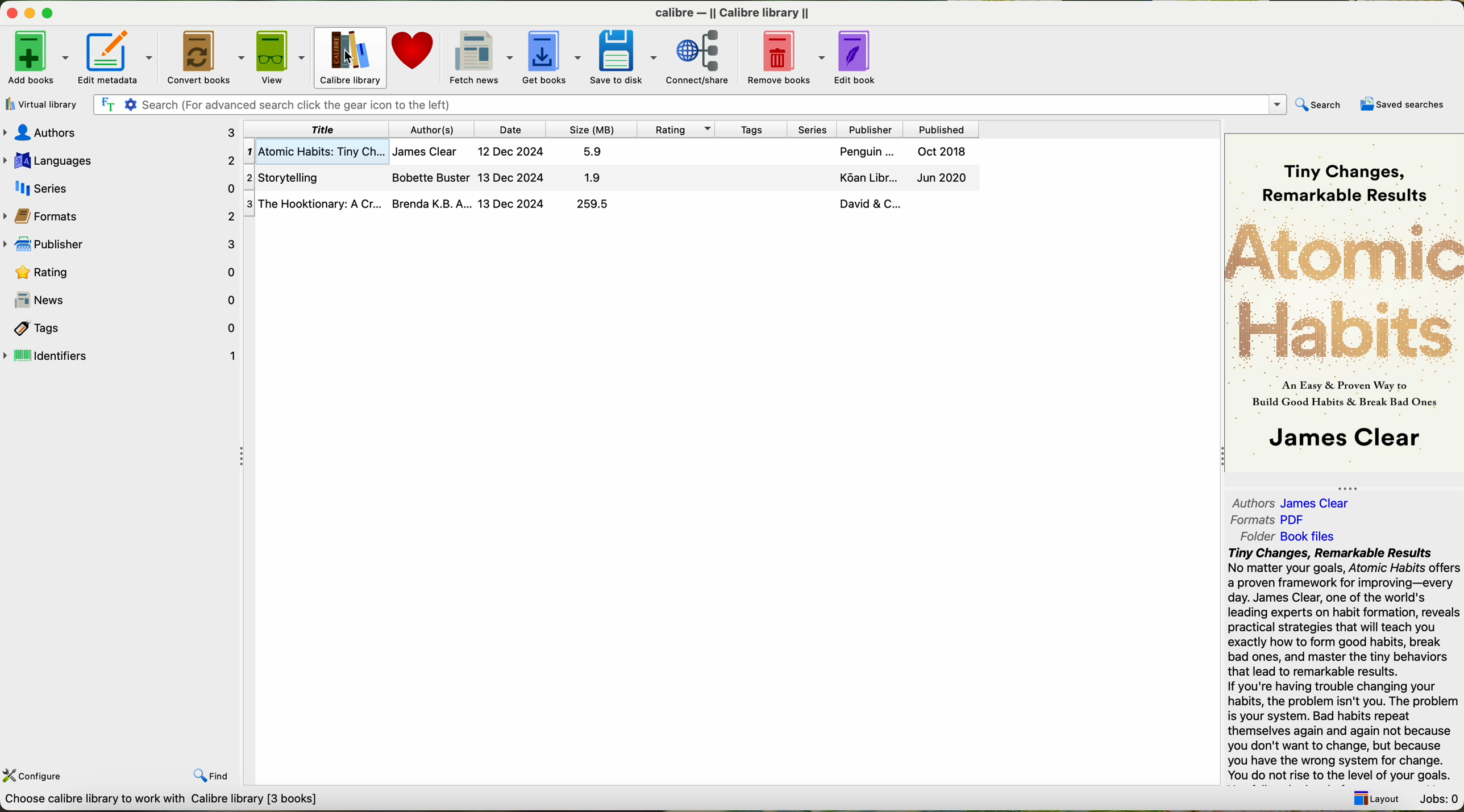  What do you see at coordinates (1344, 170) in the screenshot?
I see `Tiny Changes, Remarkable Results` at bounding box center [1344, 170].